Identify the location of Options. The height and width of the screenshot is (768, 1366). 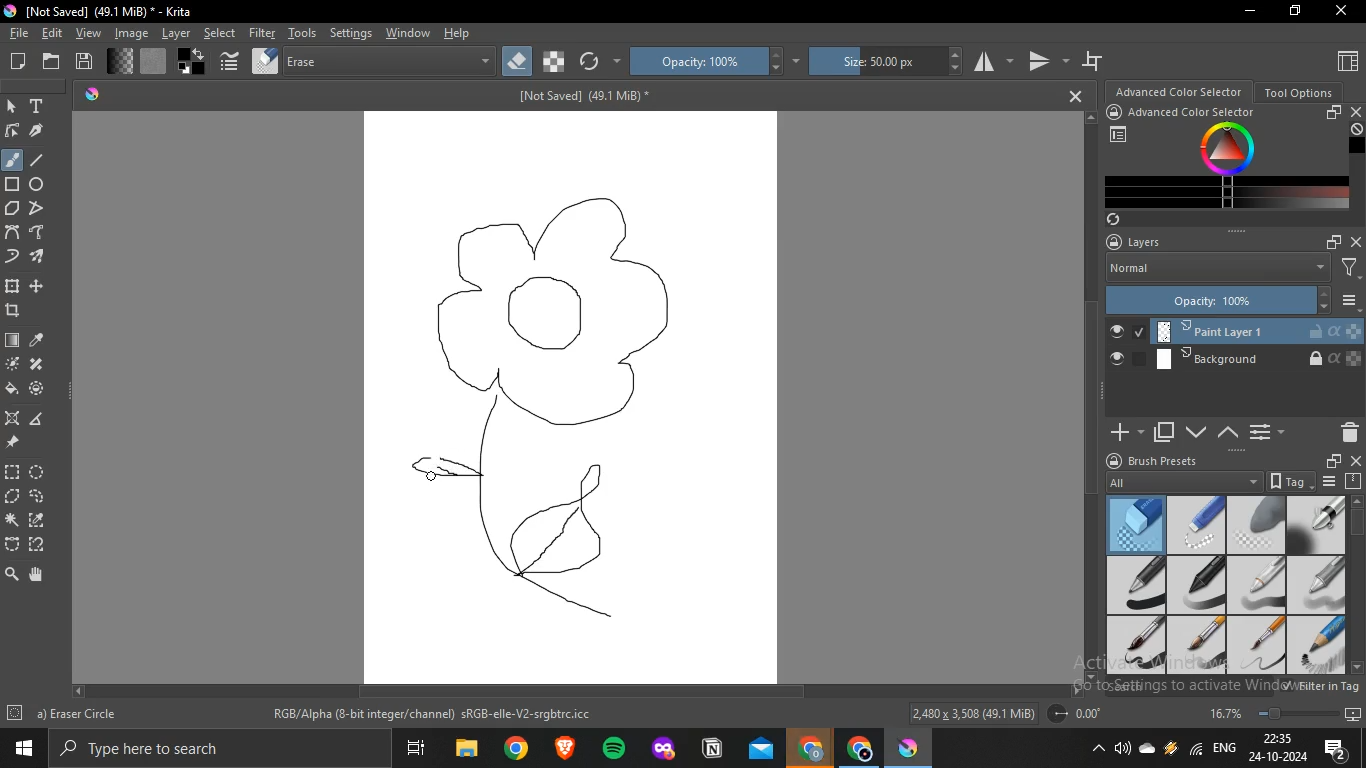
(1351, 301).